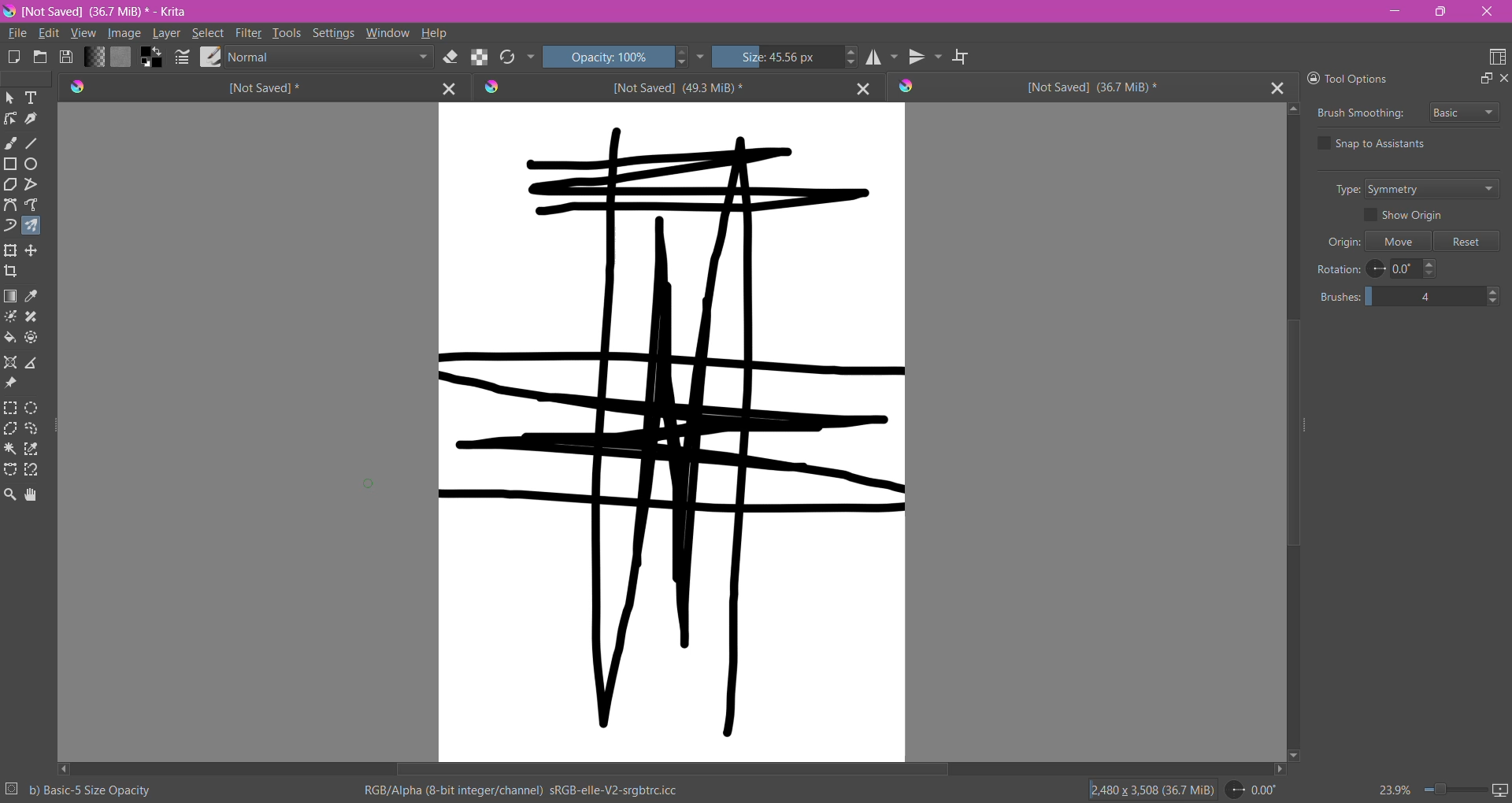  I want to click on View, so click(82, 35).